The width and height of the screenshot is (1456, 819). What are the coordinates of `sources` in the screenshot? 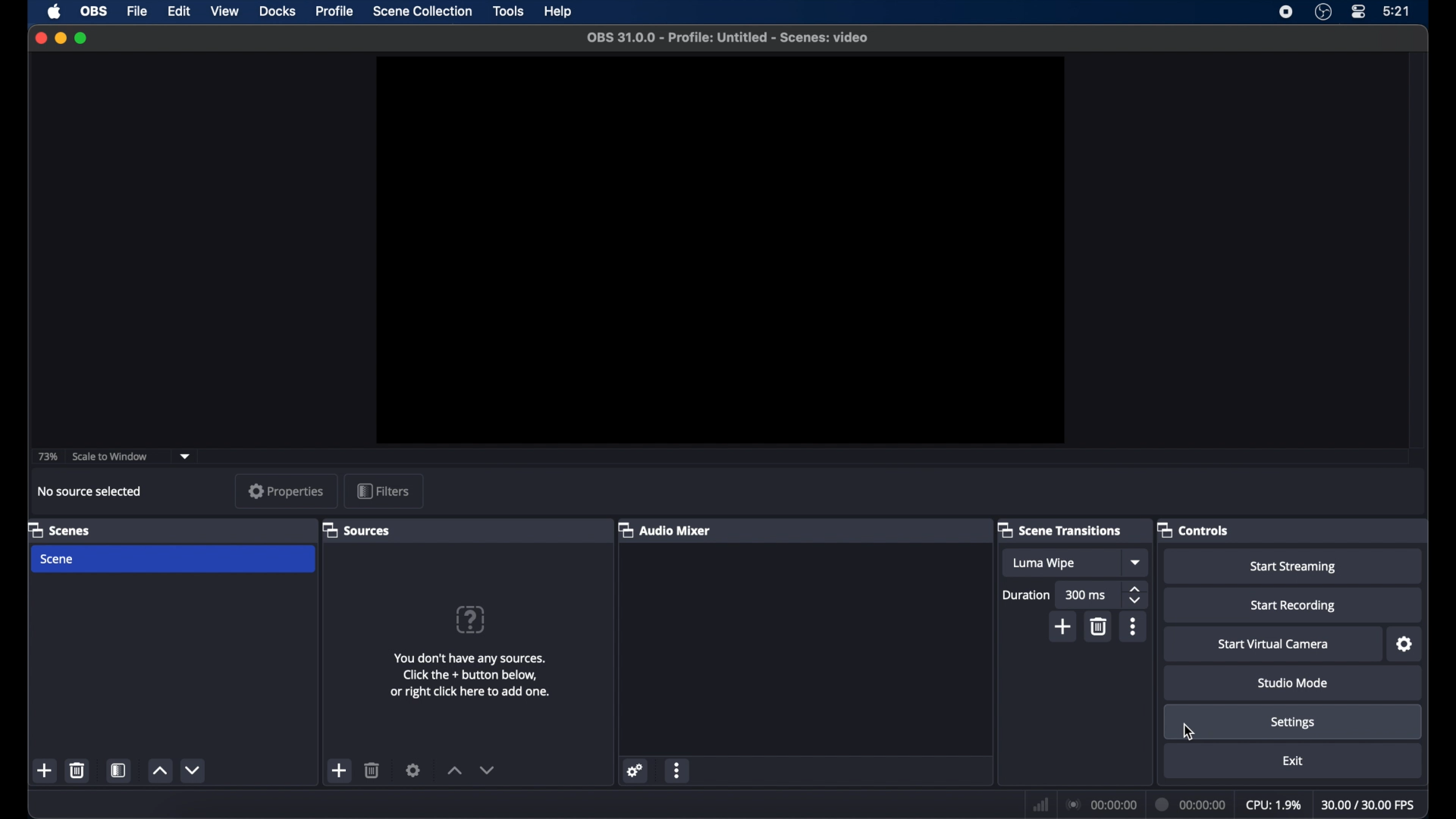 It's located at (355, 529).